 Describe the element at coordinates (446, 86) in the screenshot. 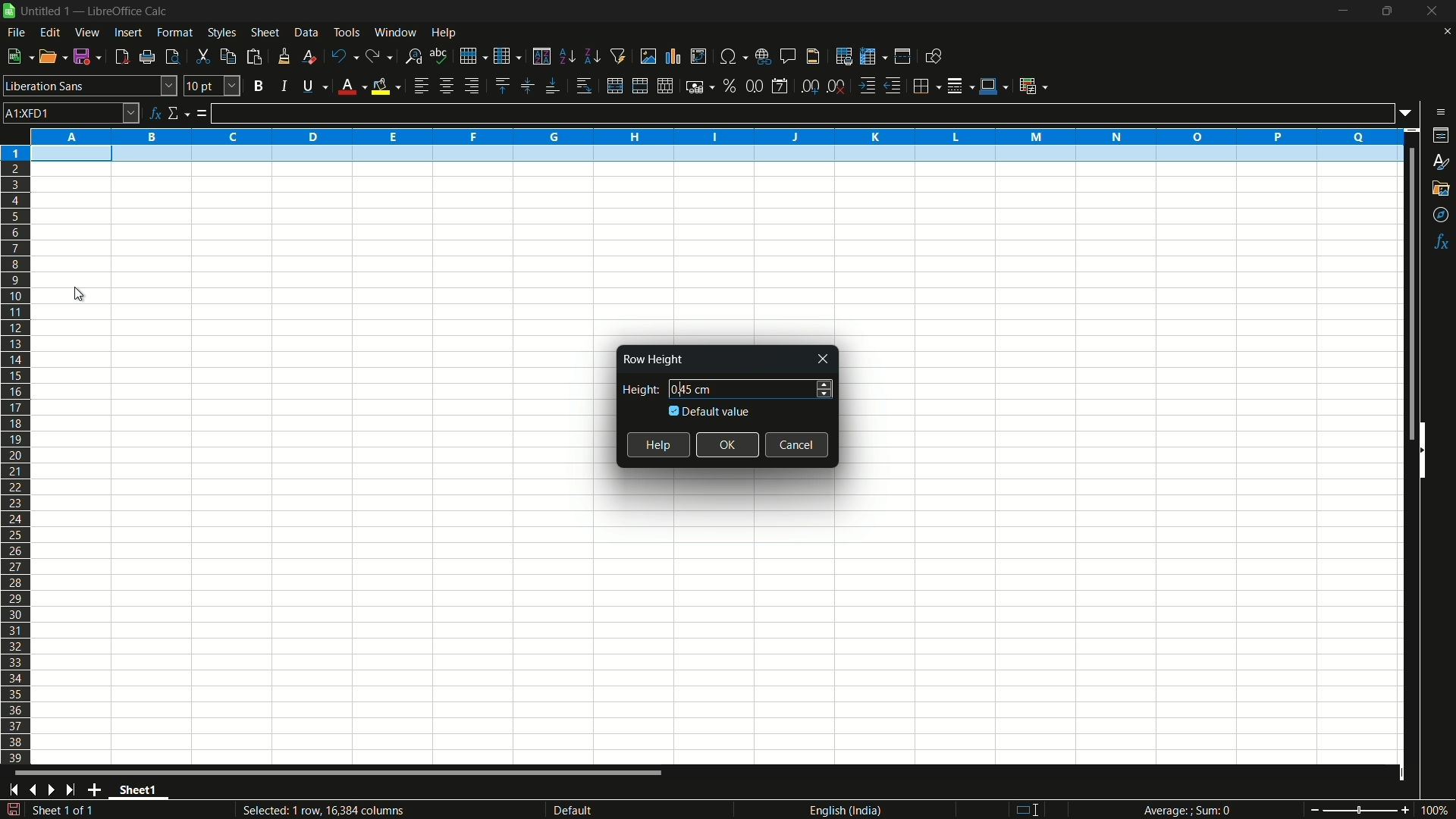

I see `align center` at that location.